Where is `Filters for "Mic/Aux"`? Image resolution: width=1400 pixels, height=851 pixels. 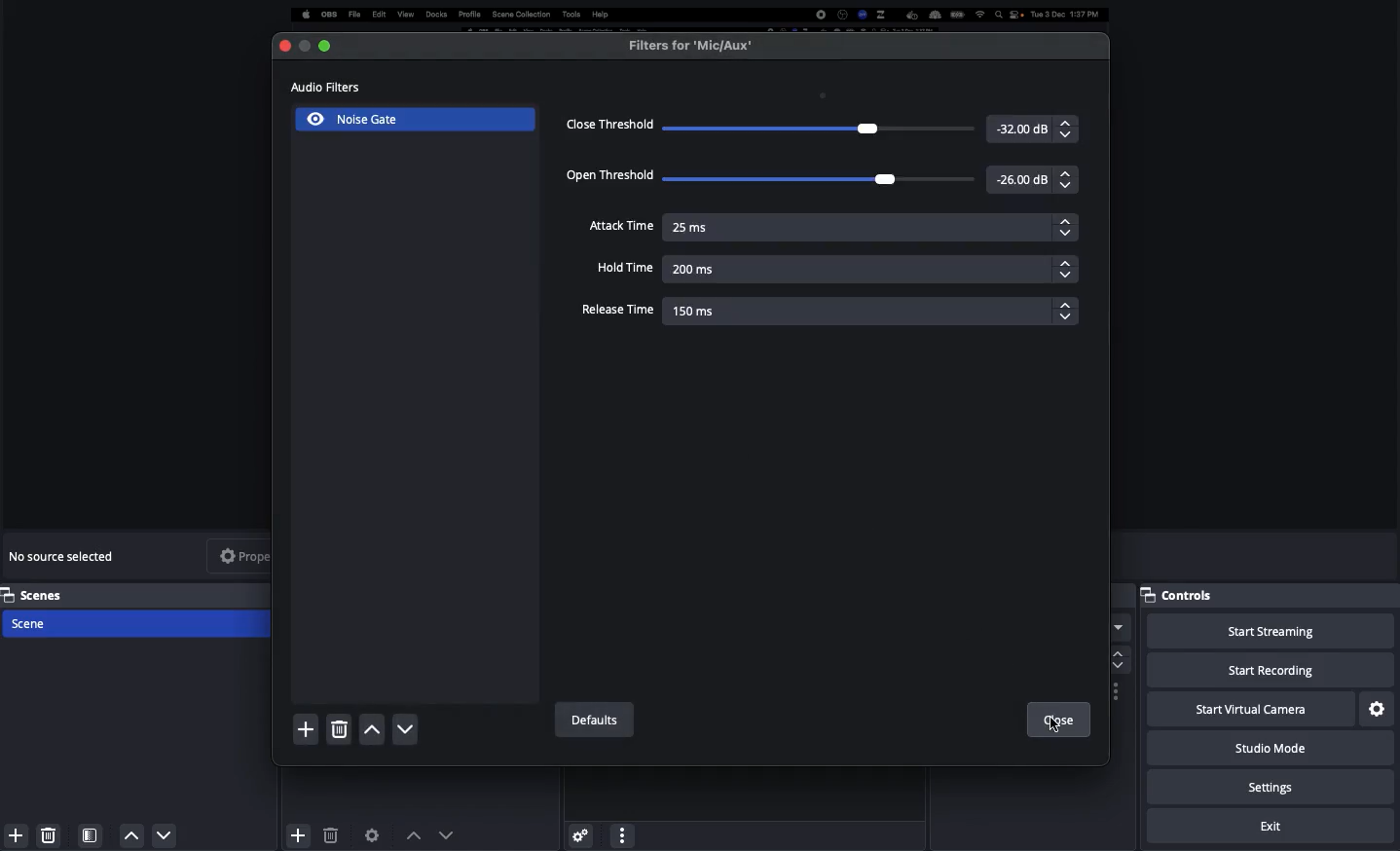
Filters for "Mic/Aux" is located at coordinates (691, 46).